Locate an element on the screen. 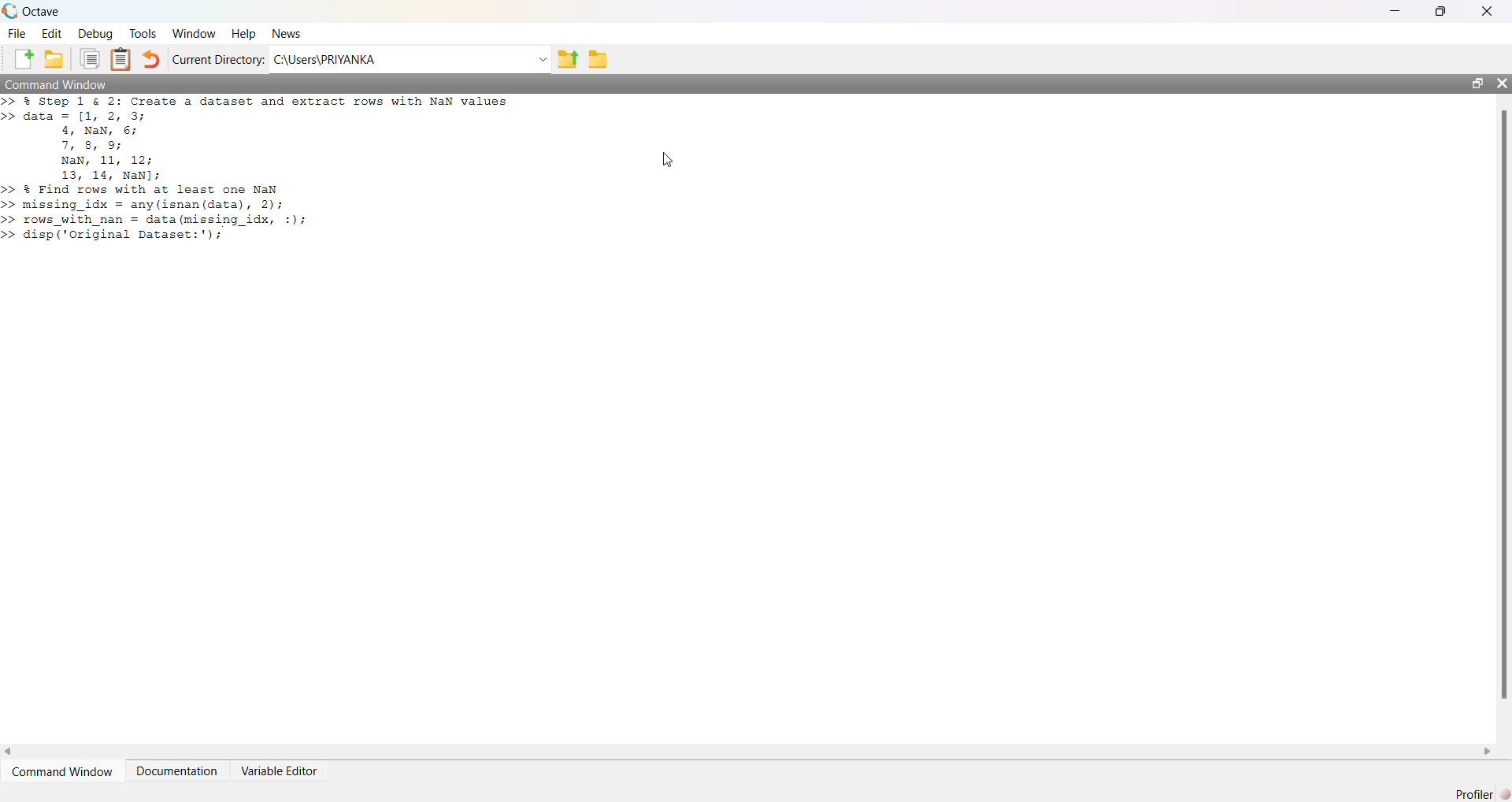  close is located at coordinates (1488, 12).